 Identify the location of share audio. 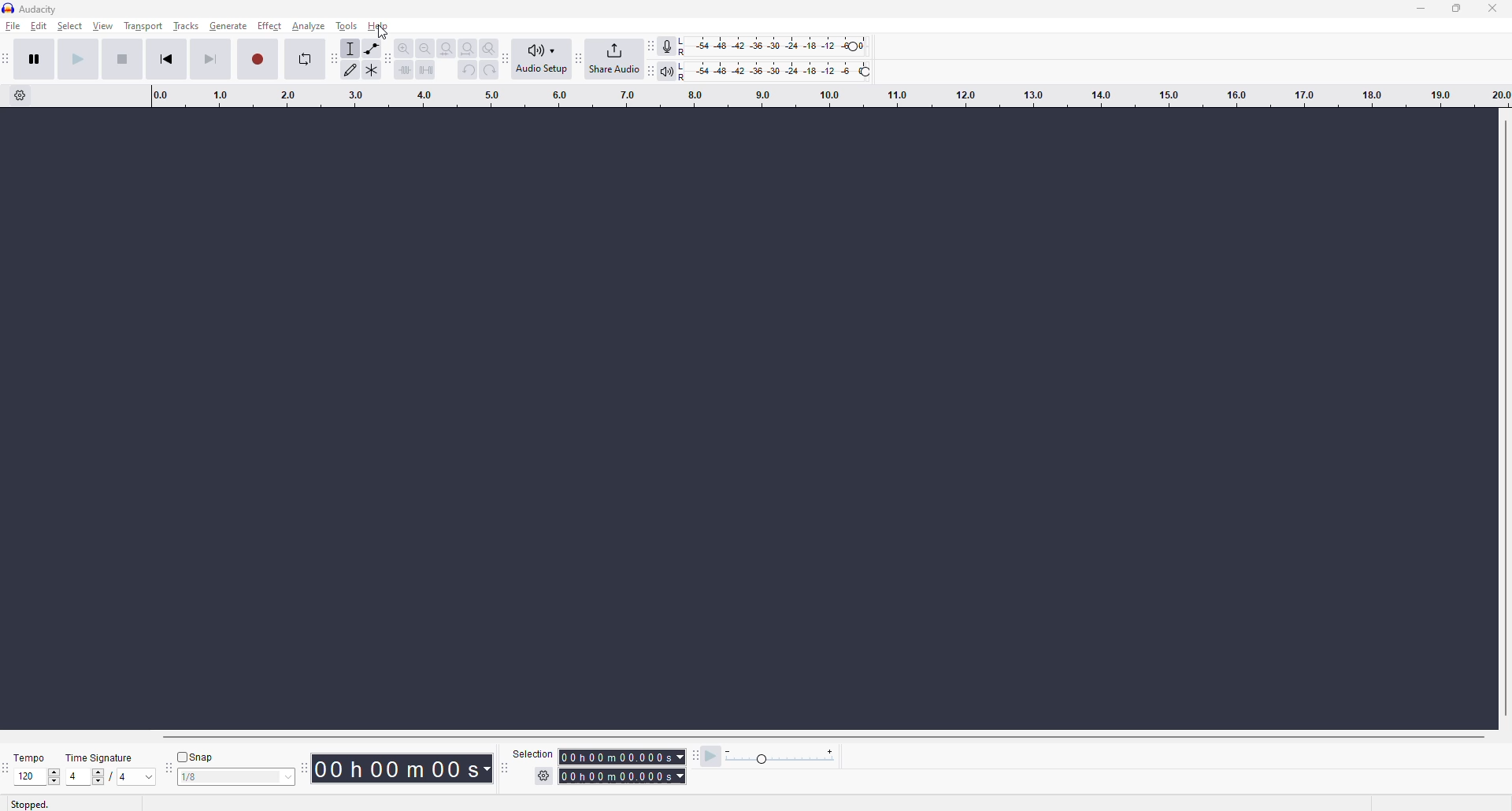
(613, 60).